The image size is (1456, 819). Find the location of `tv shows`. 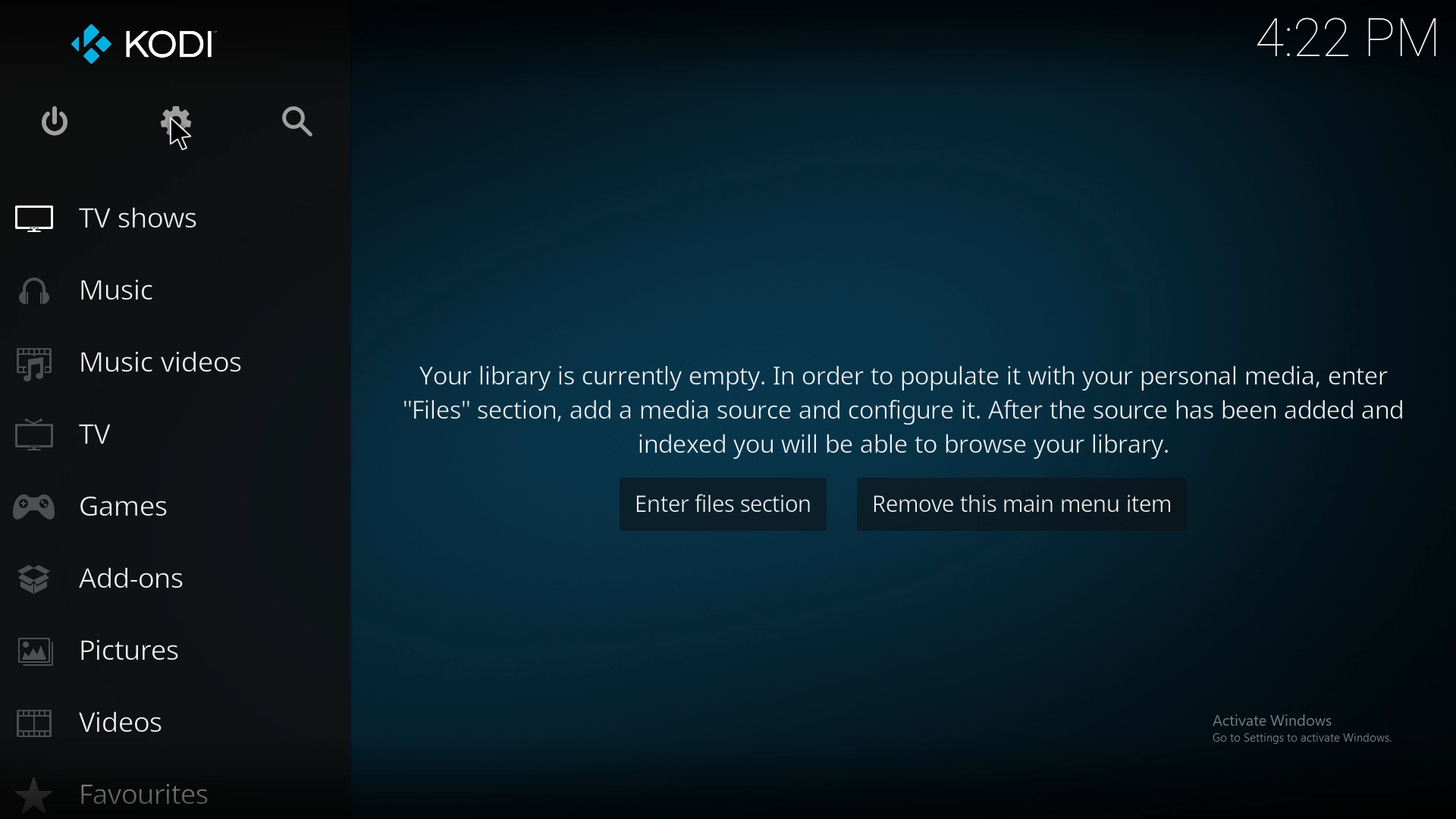

tv shows is located at coordinates (137, 218).